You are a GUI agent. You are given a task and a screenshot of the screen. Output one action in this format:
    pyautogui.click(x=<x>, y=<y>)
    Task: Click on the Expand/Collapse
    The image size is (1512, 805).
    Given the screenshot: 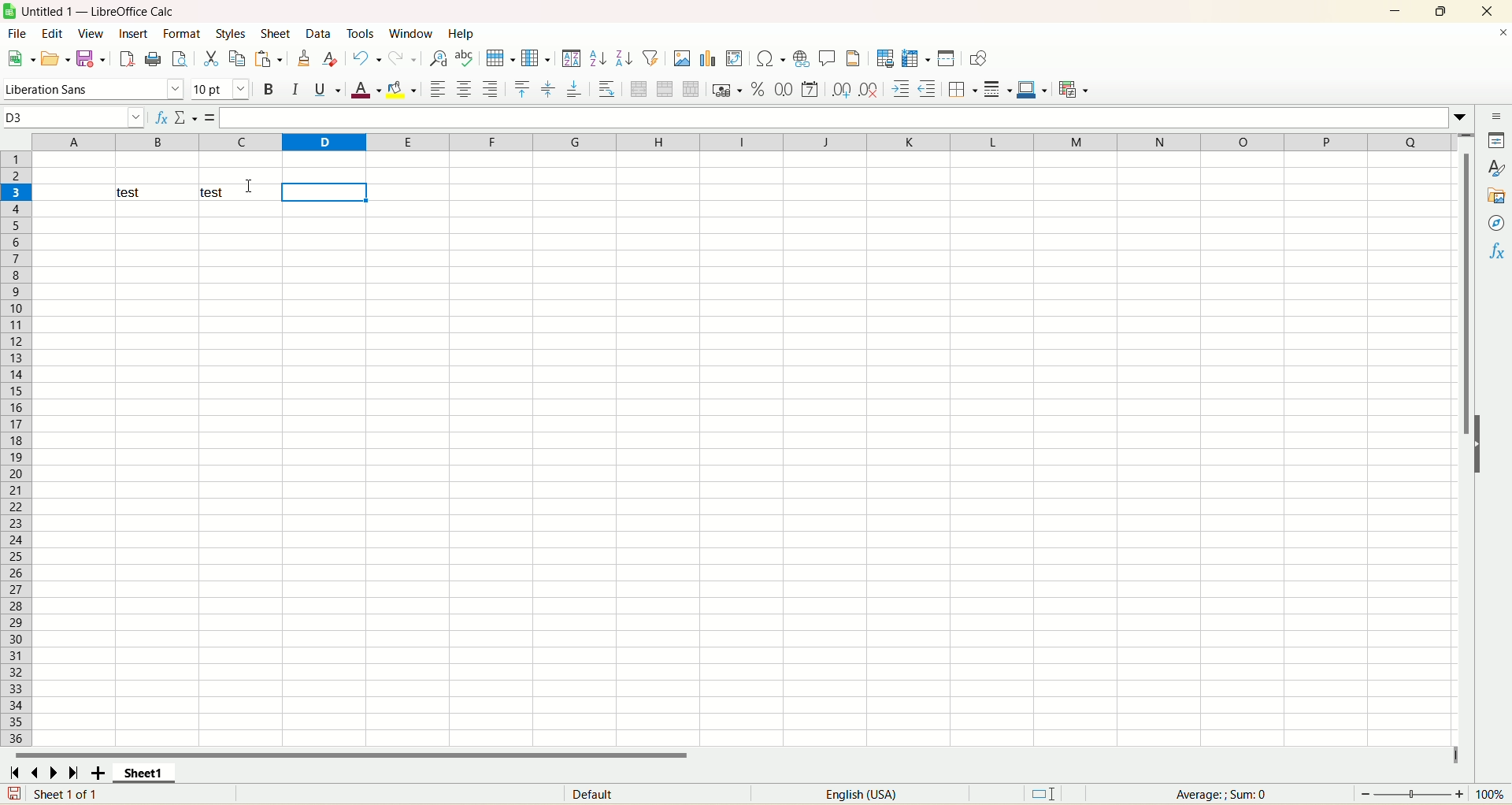 What is the action you would take?
    pyautogui.click(x=1478, y=444)
    